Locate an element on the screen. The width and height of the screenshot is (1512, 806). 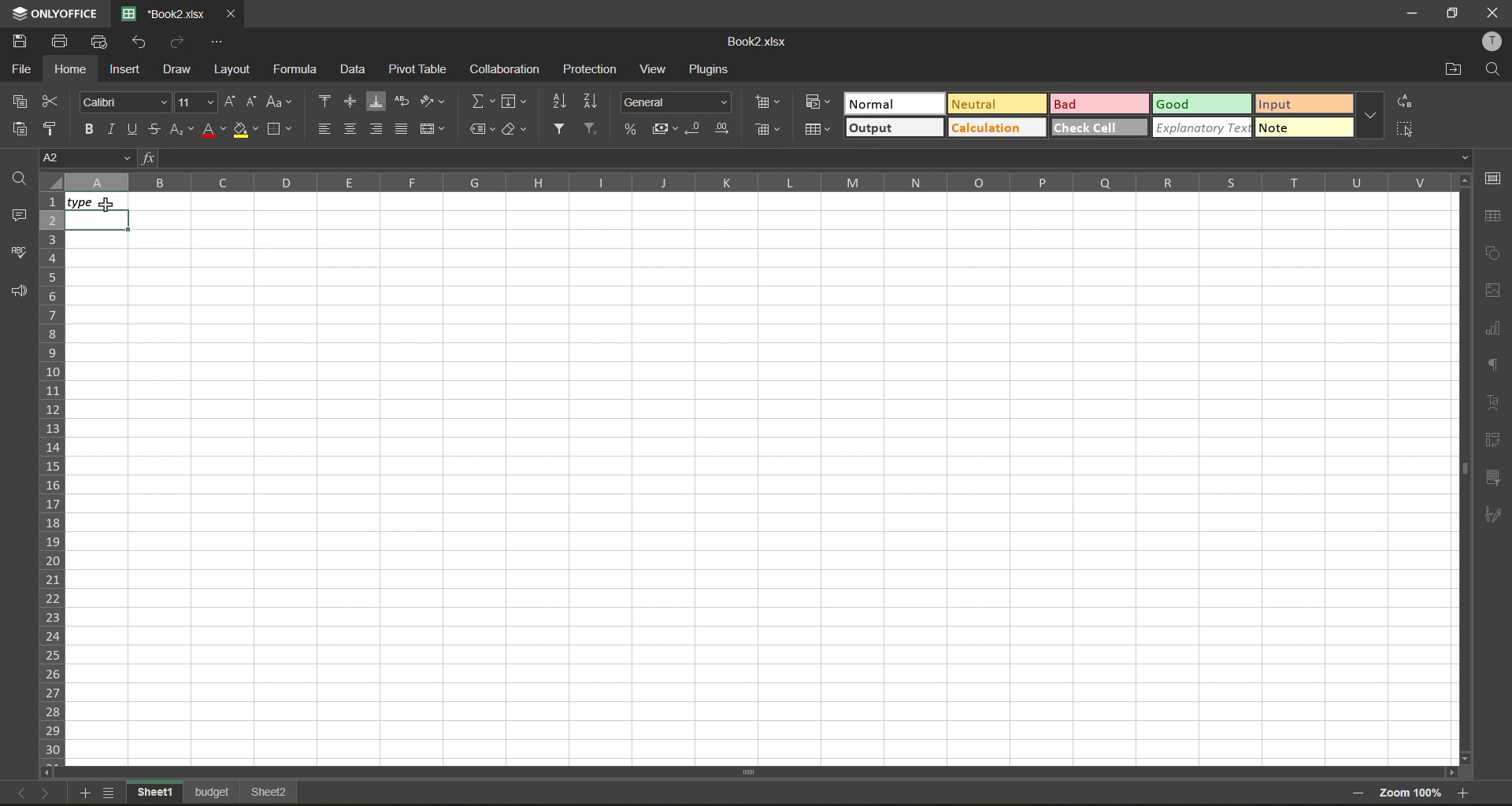
view is located at coordinates (655, 69).